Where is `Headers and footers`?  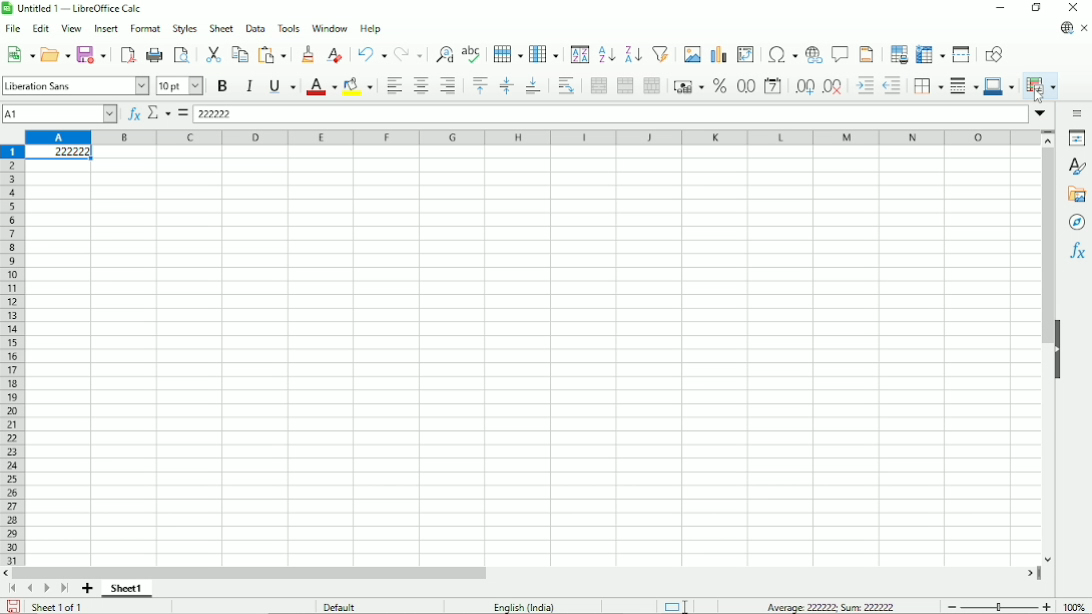 Headers and footers is located at coordinates (867, 54).